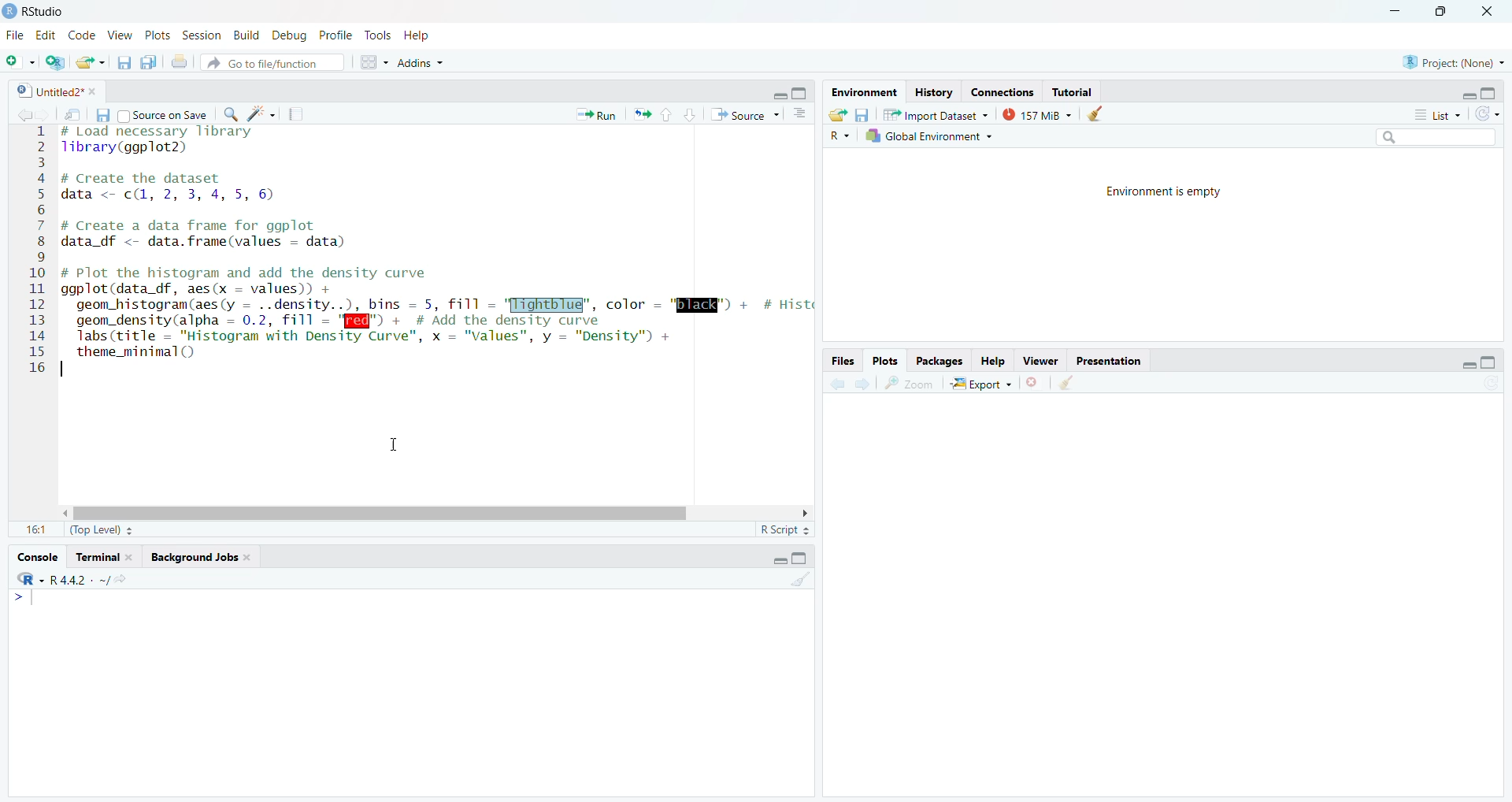 Image resolution: width=1512 pixels, height=802 pixels. I want to click on next plot, so click(862, 384).